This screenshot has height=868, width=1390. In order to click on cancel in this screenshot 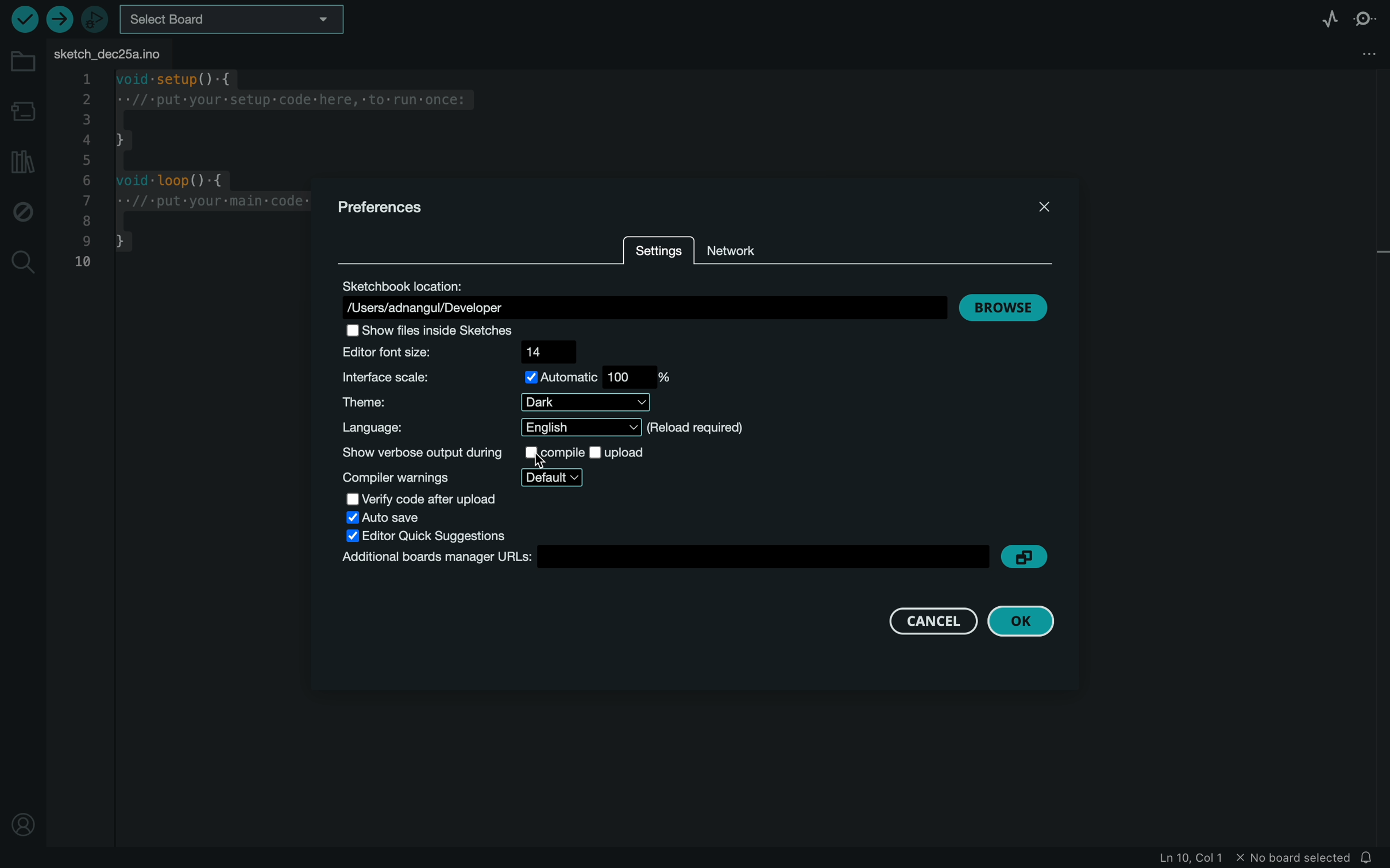, I will do `click(929, 619)`.